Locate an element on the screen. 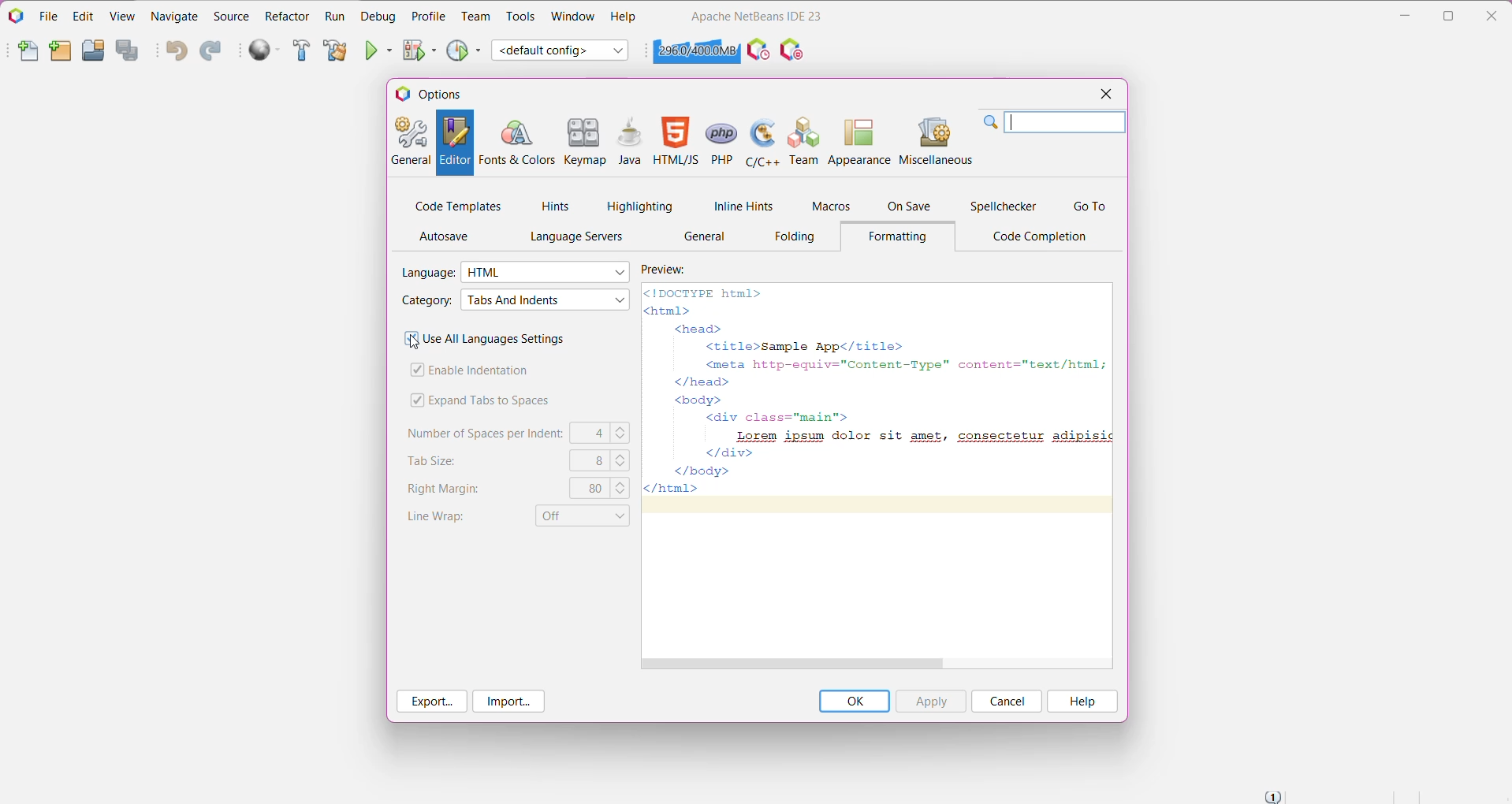  Restore Down is located at coordinates (1451, 16).